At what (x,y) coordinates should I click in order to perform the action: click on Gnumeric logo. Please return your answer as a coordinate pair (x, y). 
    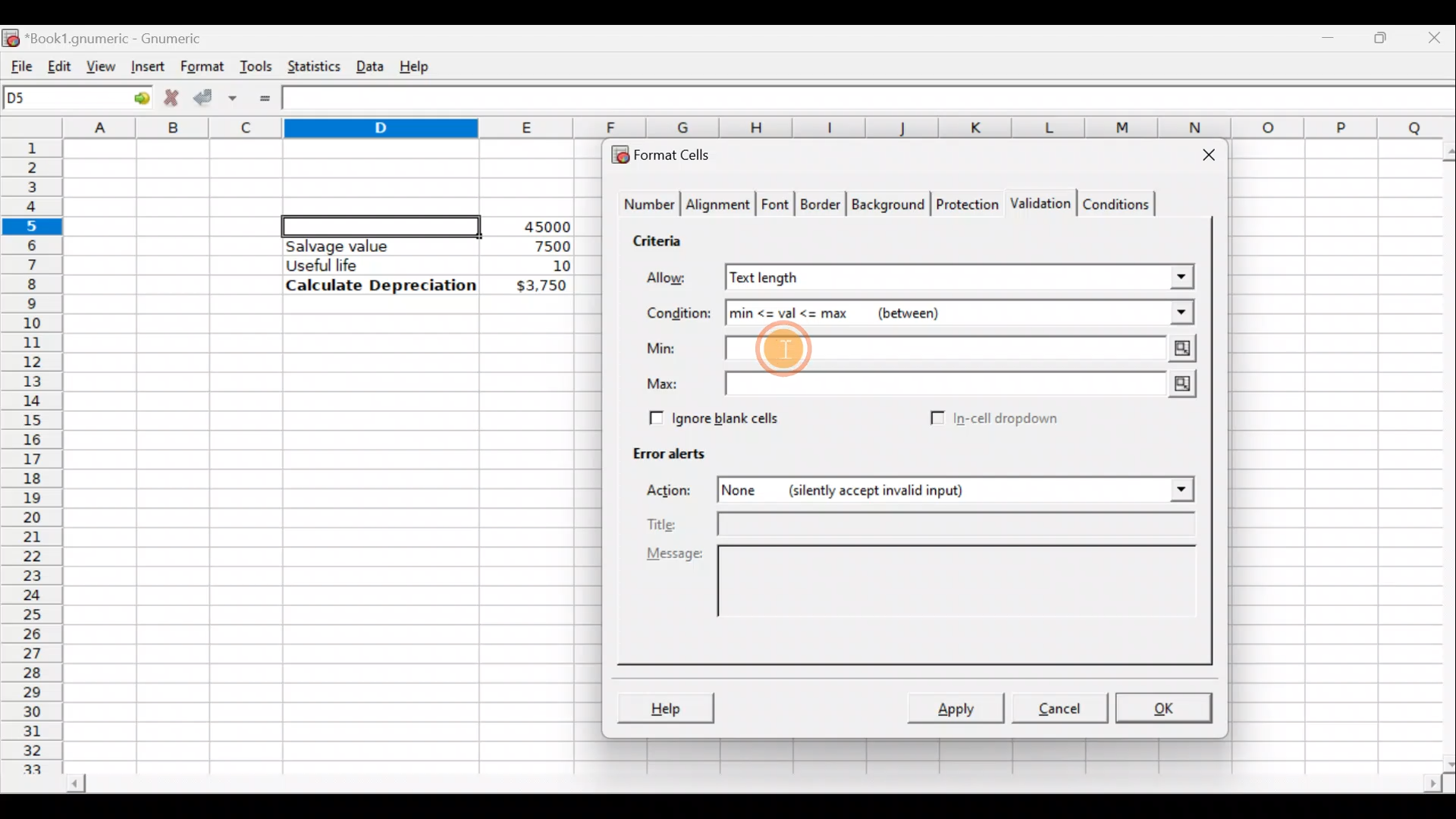
    Looking at the image, I should click on (11, 36).